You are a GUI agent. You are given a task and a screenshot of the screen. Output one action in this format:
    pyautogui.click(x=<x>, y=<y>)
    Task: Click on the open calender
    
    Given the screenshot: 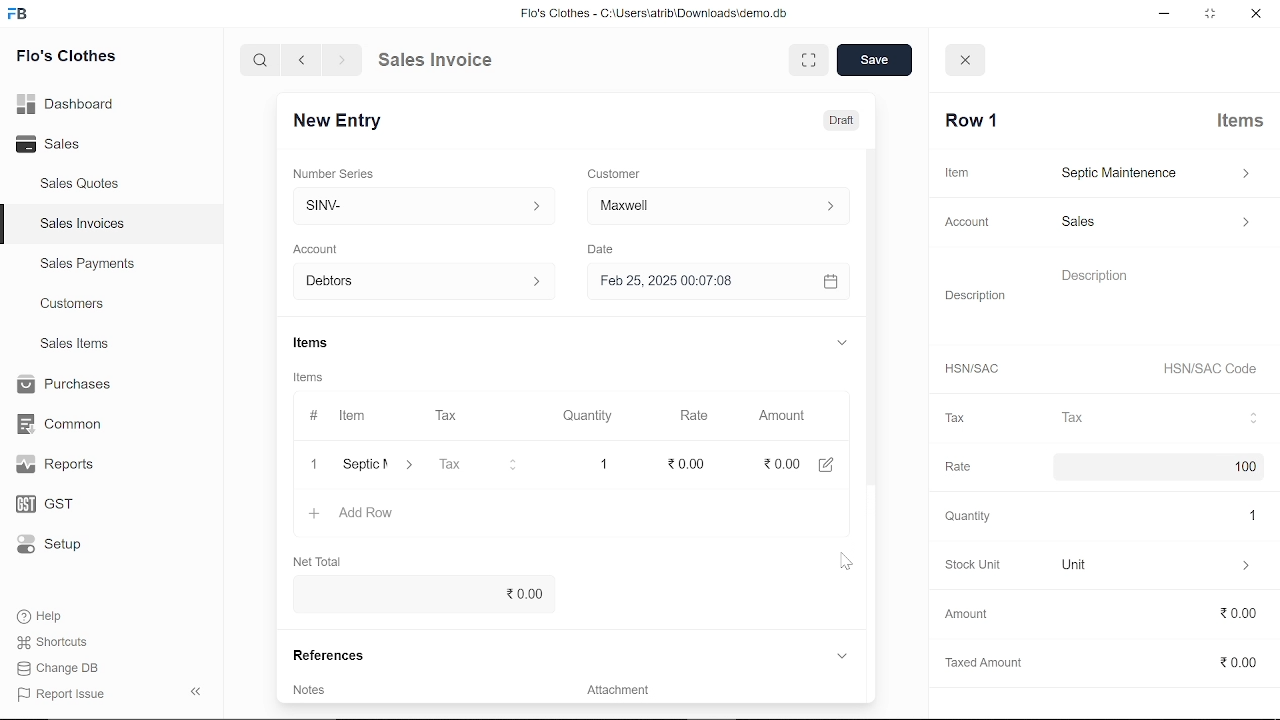 What is the action you would take?
    pyautogui.click(x=829, y=281)
    